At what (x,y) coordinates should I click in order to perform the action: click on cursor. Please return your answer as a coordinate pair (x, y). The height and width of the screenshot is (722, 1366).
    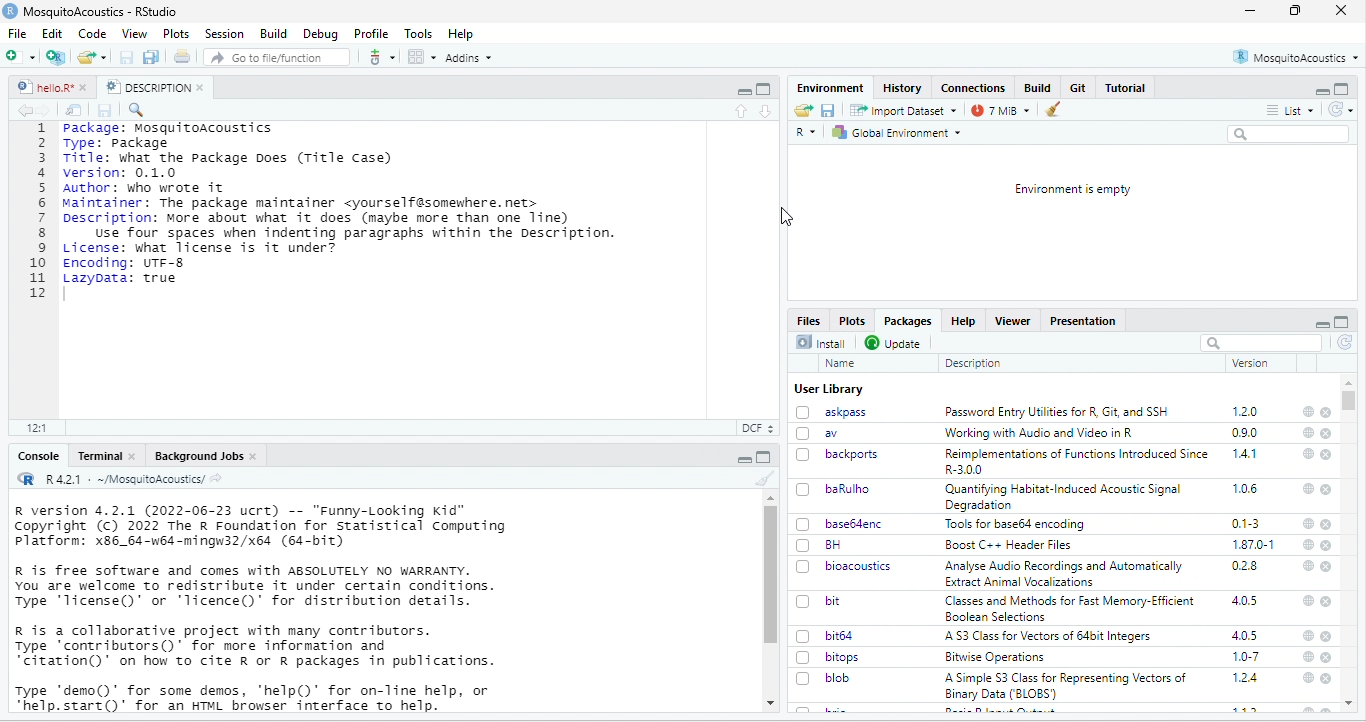
    Looking at the image, I should click on (787, 215).